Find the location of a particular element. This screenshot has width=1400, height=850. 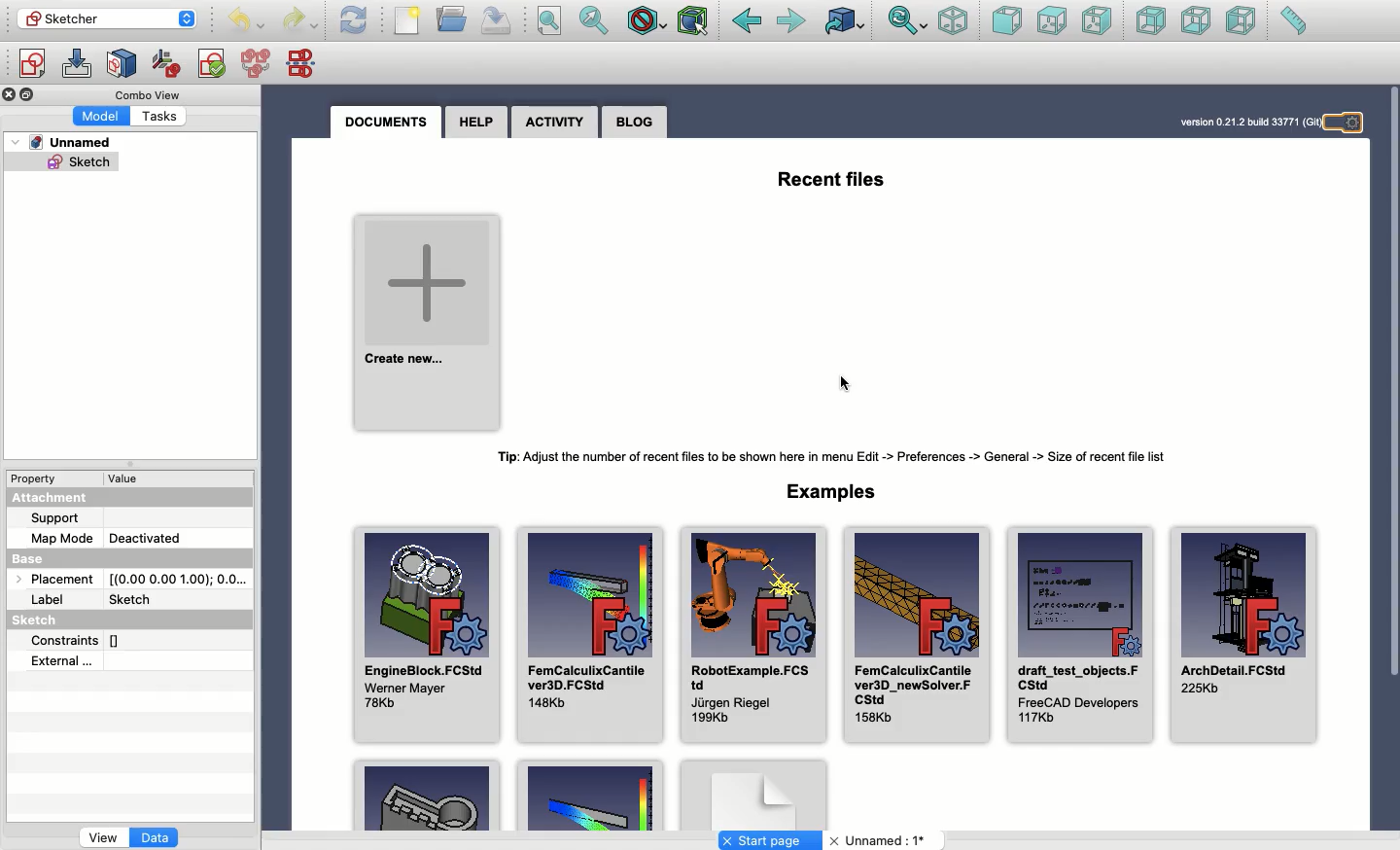

Tip: Adjust the number of recent files to be shown here in menu Edit -> Preferences -> General -> Size of recent fle list is located at coordinates (842, 457).